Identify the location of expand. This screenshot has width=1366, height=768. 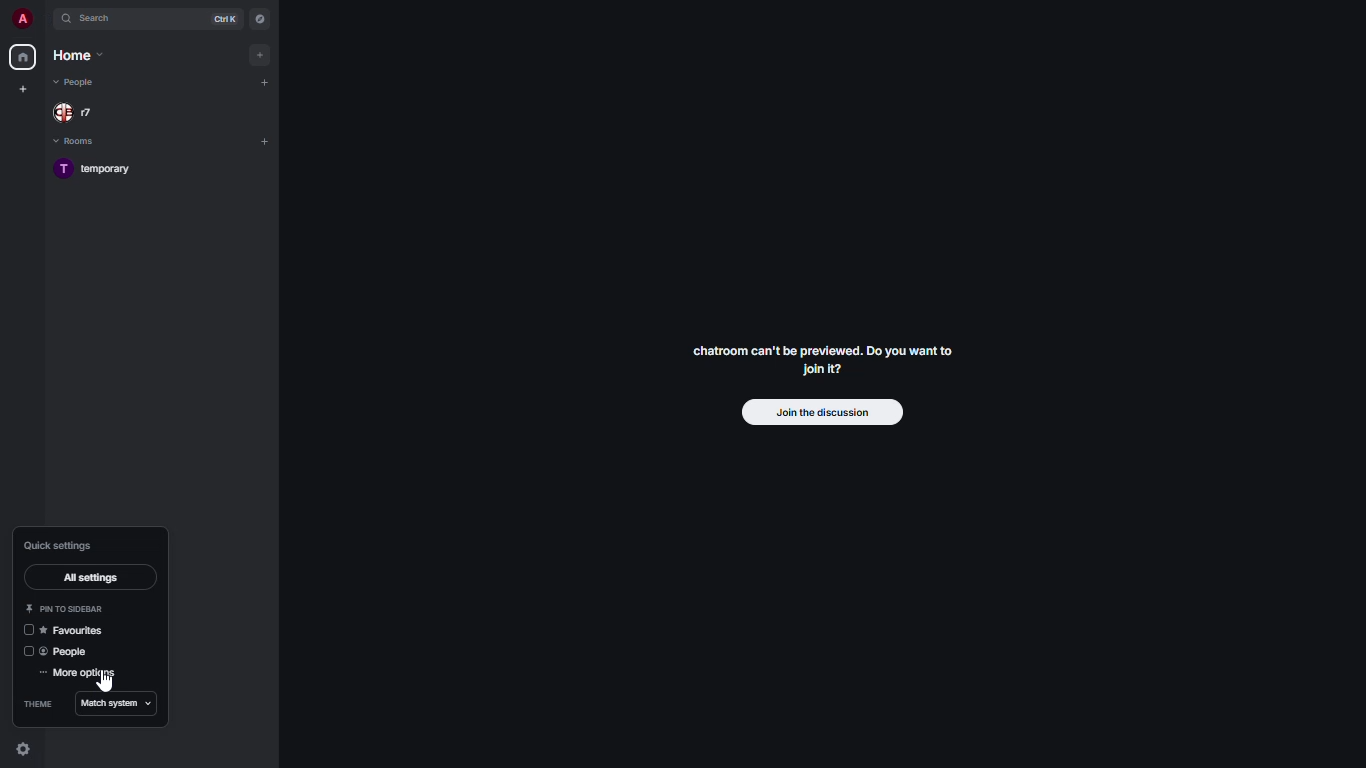
(45, 20).